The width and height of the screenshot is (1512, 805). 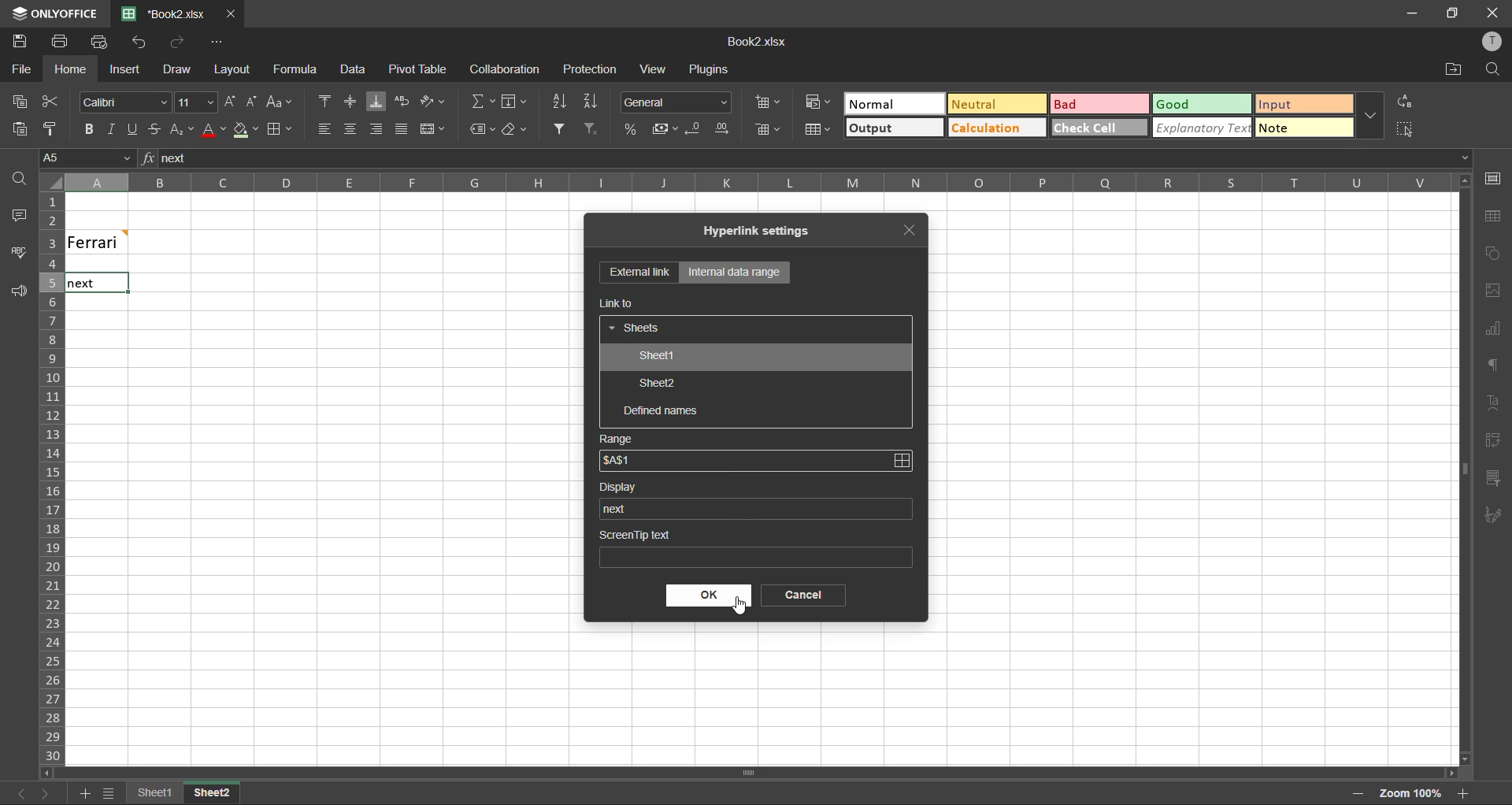 I want to click on add sheet, so click(x=84, y=793).